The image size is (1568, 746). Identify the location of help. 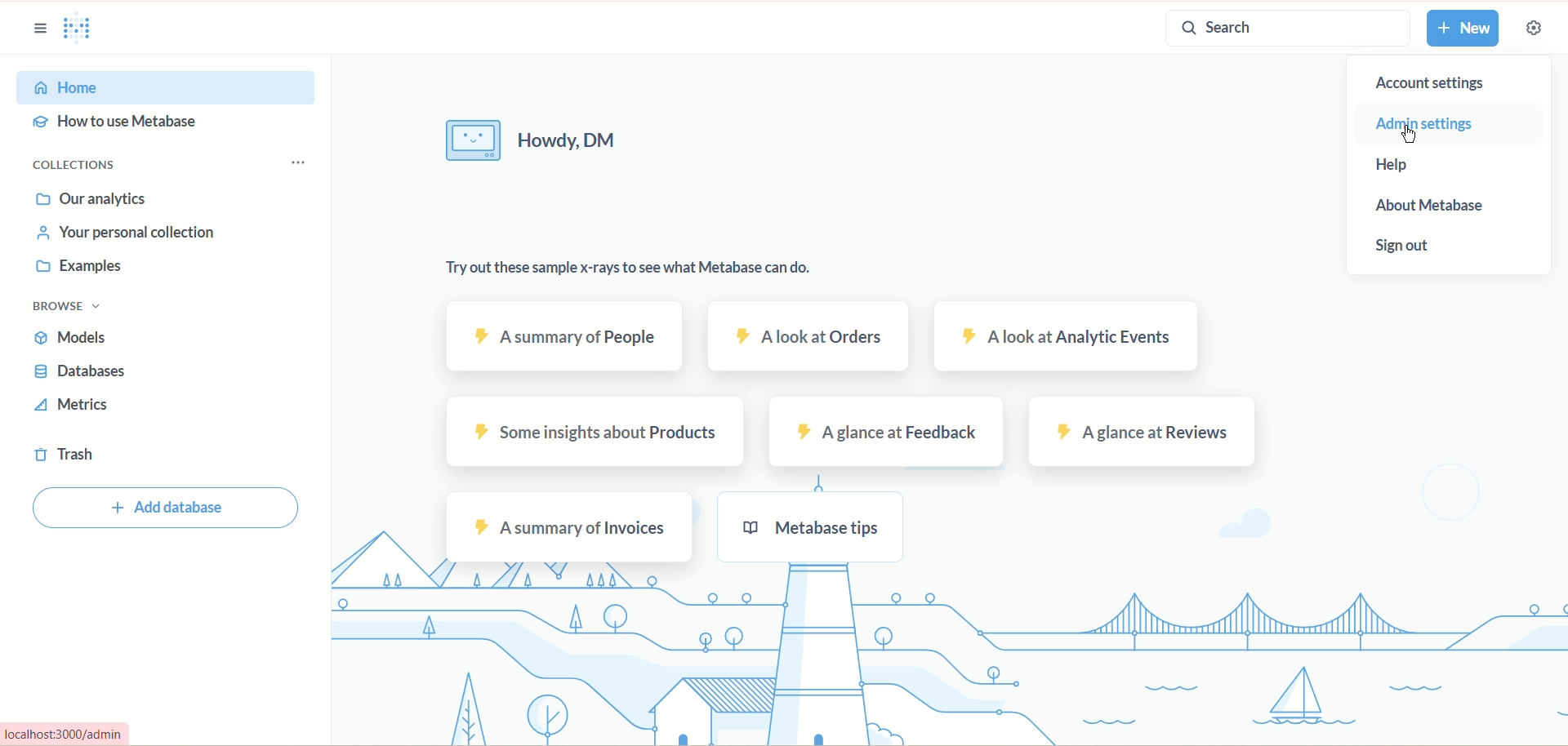
(1404, 166).